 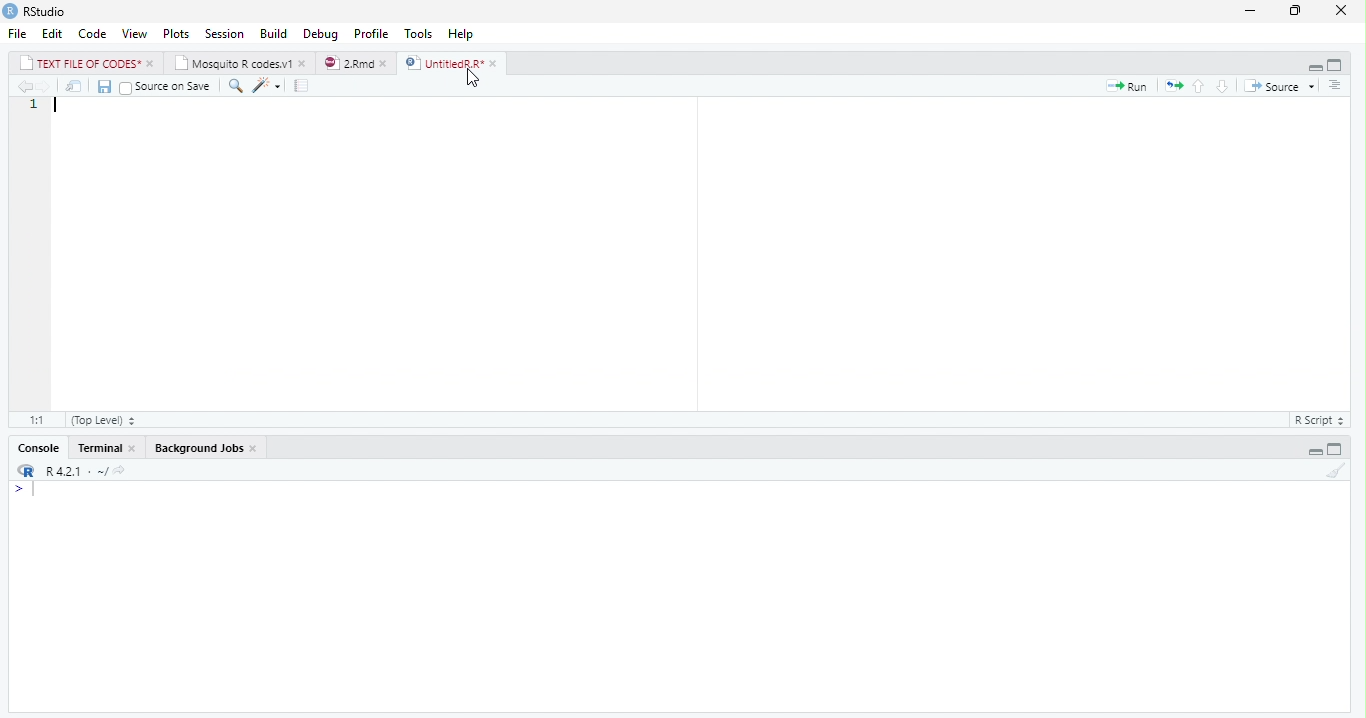 What do you see at coordinates (47, 12) in the screenshot?
I see `RStudio` at bounding box center [47, 12].